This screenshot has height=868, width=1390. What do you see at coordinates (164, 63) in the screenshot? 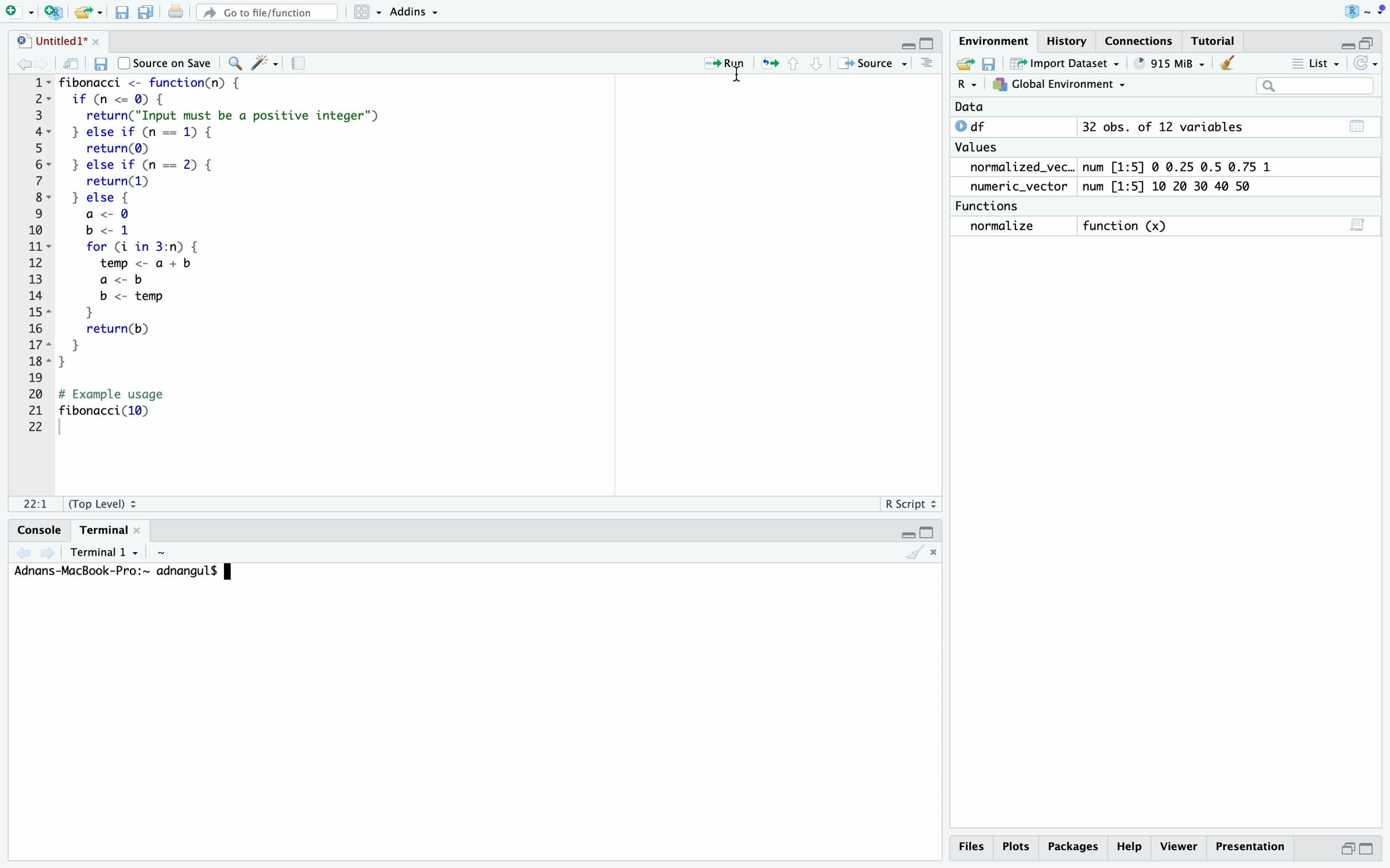
I see `source on save` at bounding box center [164, 63].